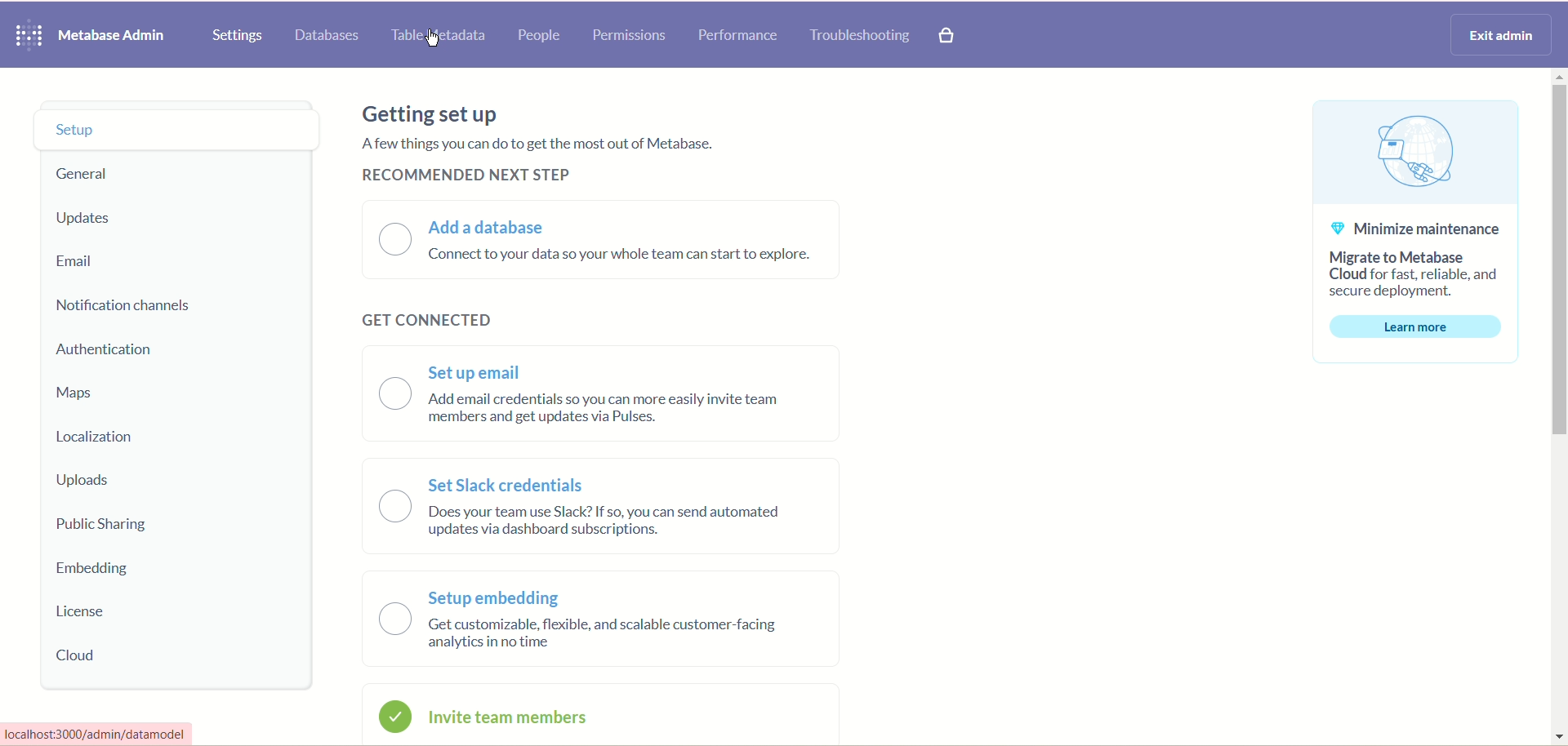  Describe the element at coordinates (627, 245) in the screenshot. I see `~ Add a database
Connect to your data so your whole team can start to explore.` at that location.